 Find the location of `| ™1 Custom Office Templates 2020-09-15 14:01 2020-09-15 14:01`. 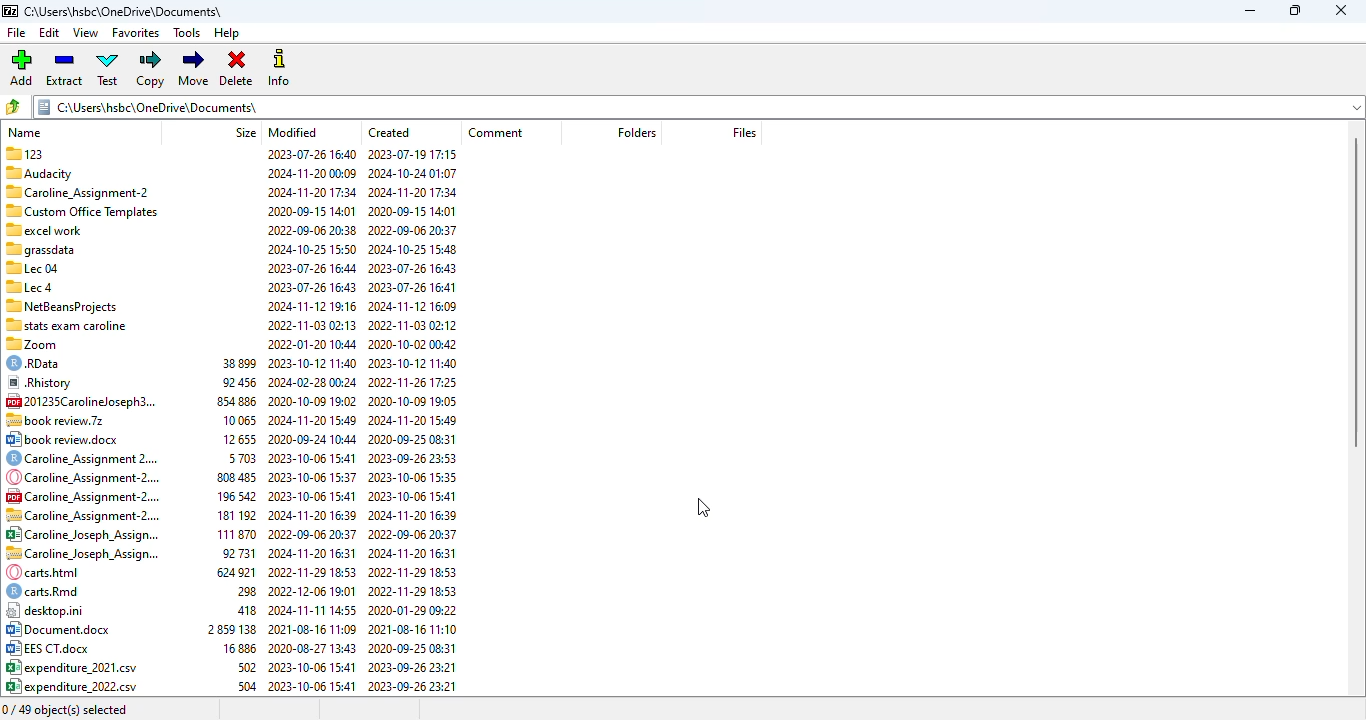

| ™1 Custom Office Templates 2020-09-15 14:01 2020-09-15 14:01 is located at coordinates (228, 191).